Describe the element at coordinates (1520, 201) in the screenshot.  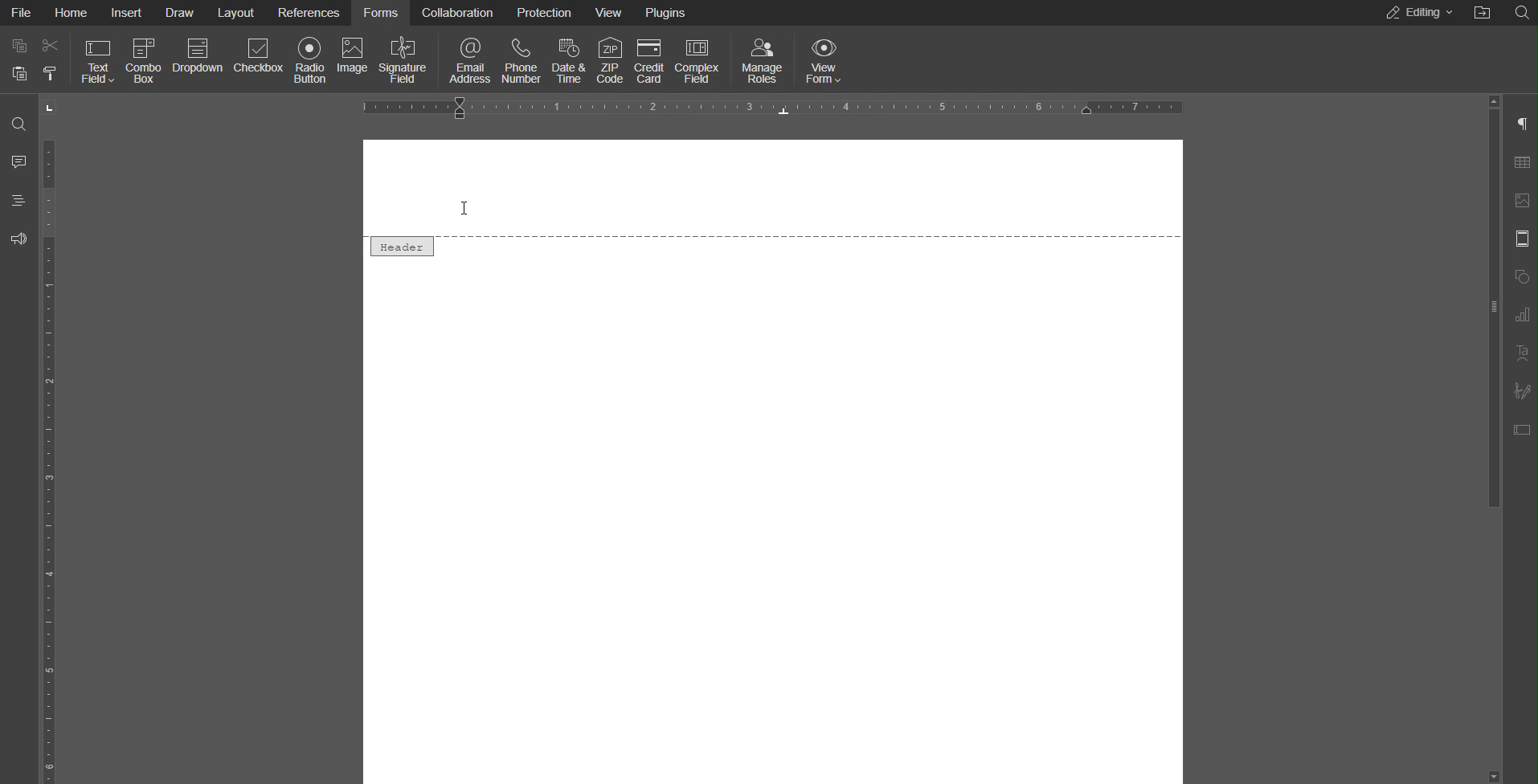
I see `Image Settings` at that location.